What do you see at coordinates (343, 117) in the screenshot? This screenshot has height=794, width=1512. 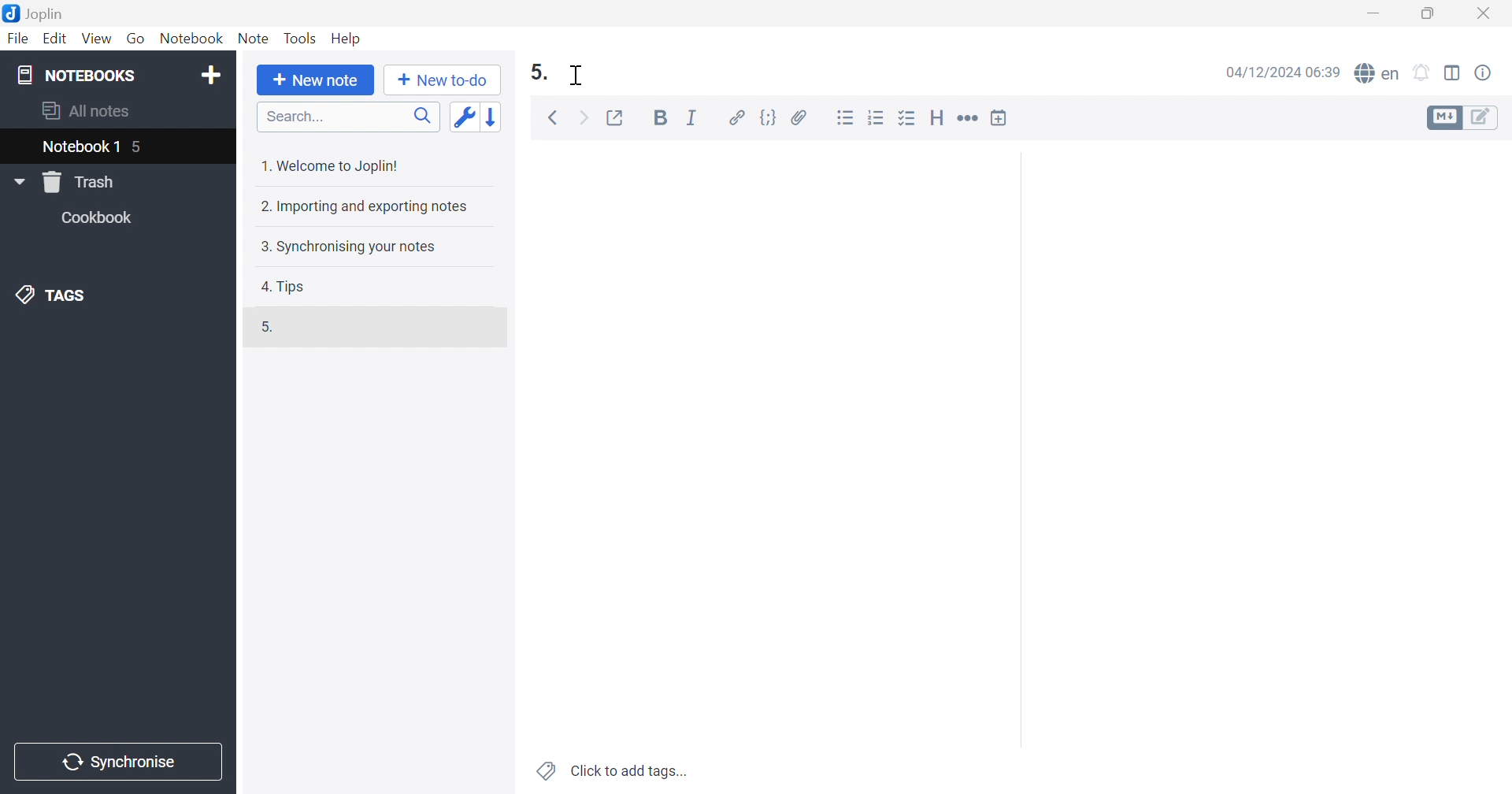 I see `Search` at bounding box center [343, 117].